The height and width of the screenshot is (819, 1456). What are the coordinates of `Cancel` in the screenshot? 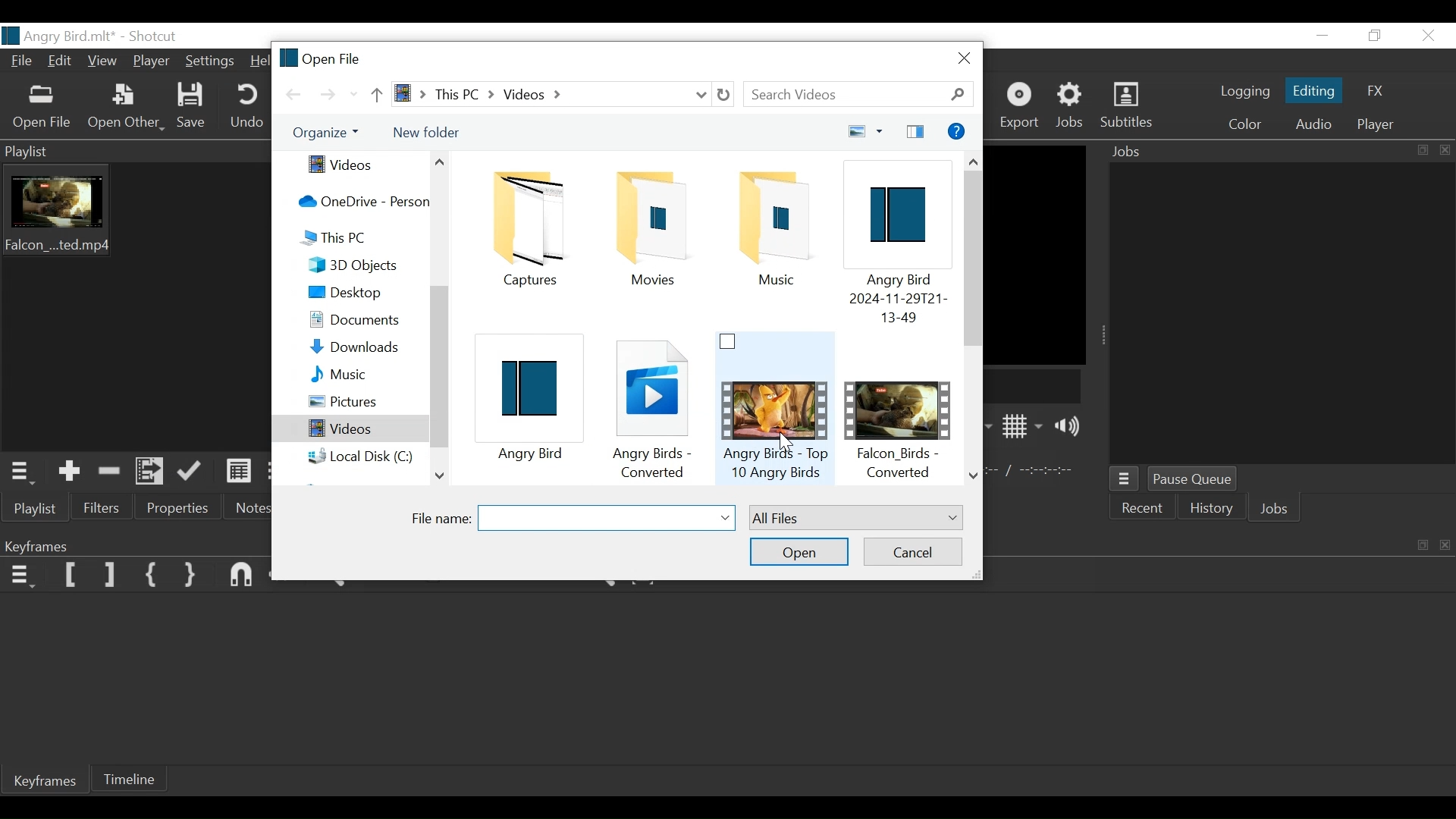 It's located at (912, 554).